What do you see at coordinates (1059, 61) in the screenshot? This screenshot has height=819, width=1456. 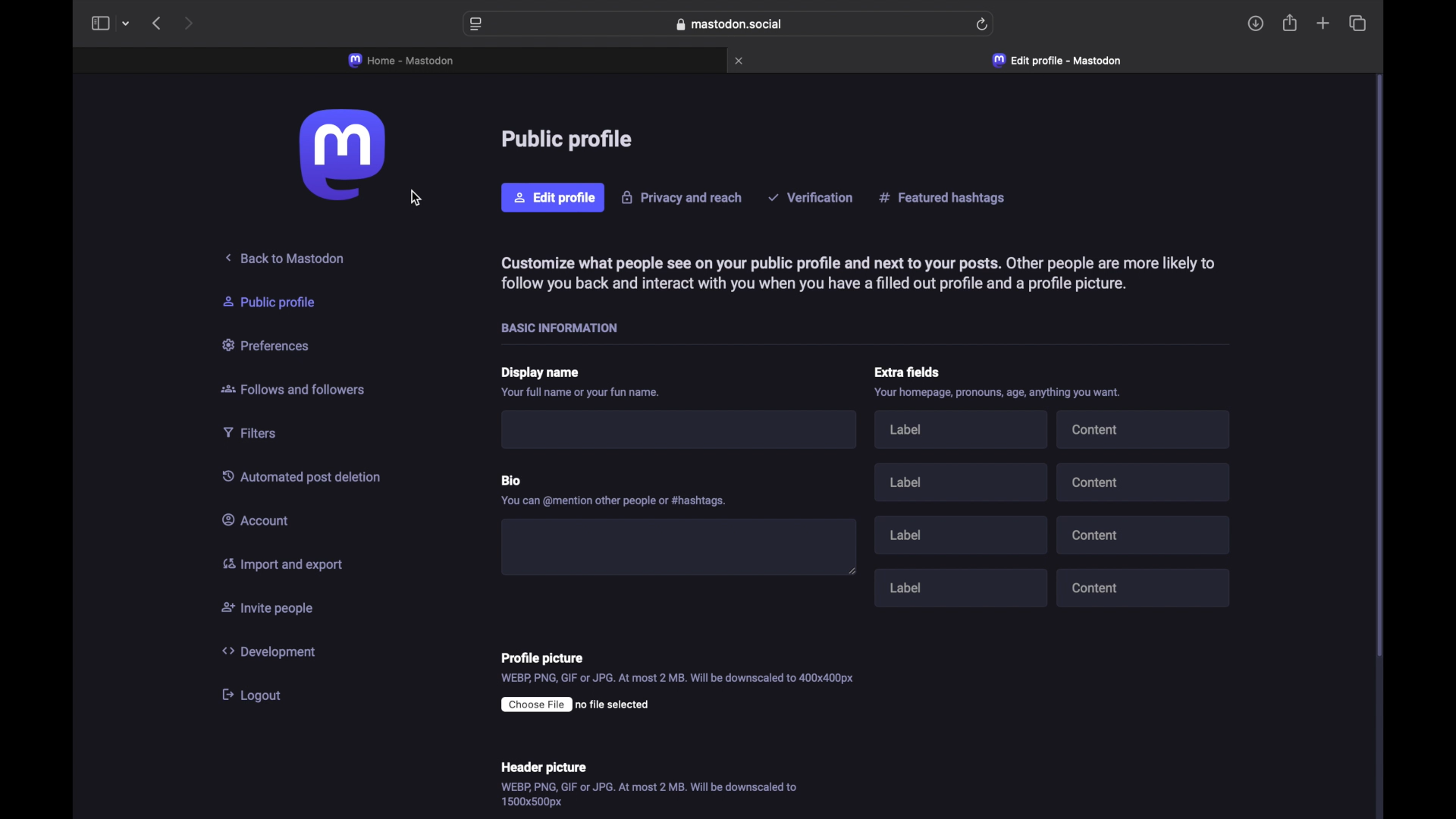 I see `edit profile - mastodon` at bounding box center [1059, 61].